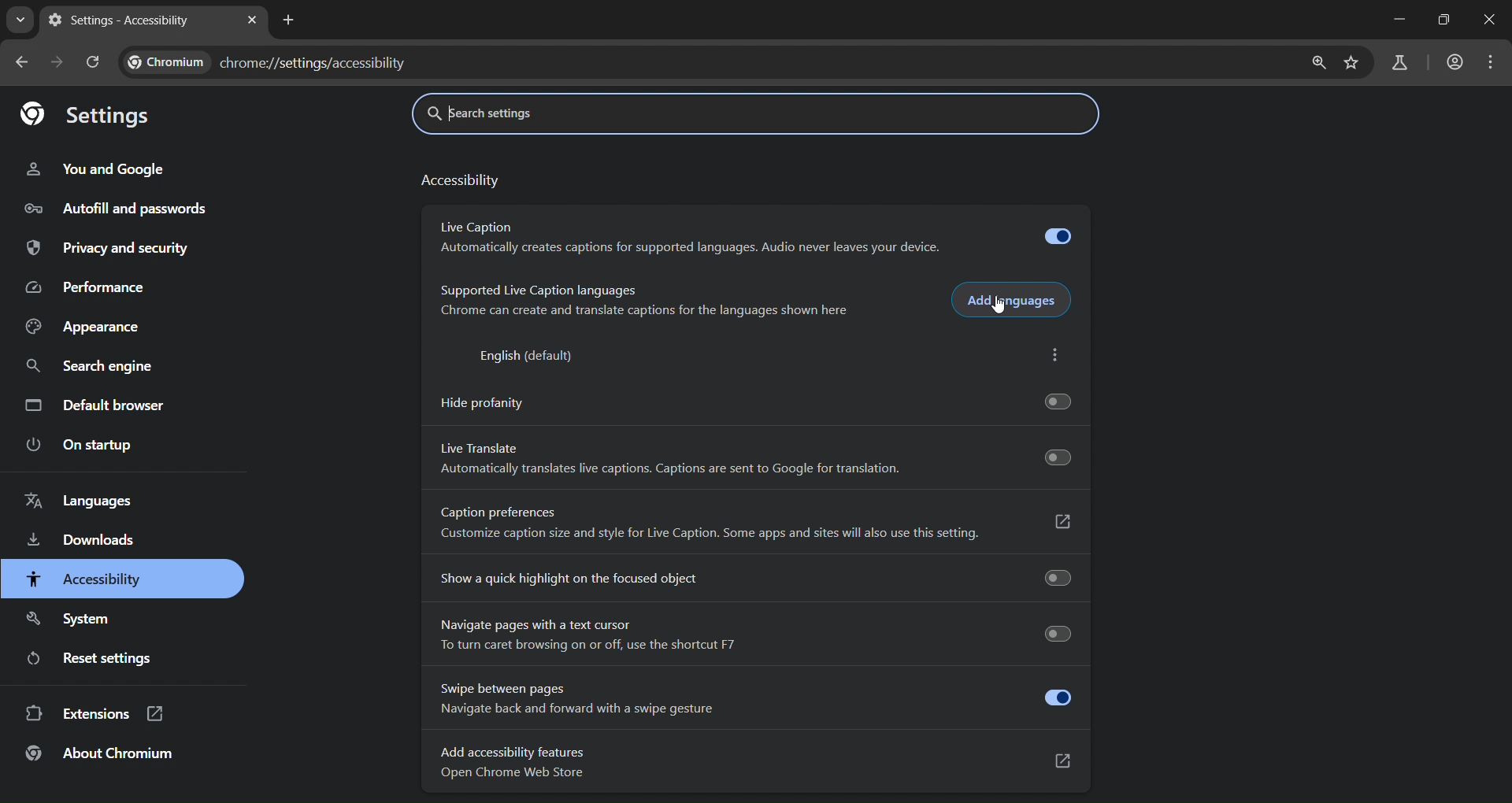 Image resolution: width=1512 pixels, height=803 pixels. Describe the element at coordinates (83, 542) in the screenshot. I see `downloads` at that location.